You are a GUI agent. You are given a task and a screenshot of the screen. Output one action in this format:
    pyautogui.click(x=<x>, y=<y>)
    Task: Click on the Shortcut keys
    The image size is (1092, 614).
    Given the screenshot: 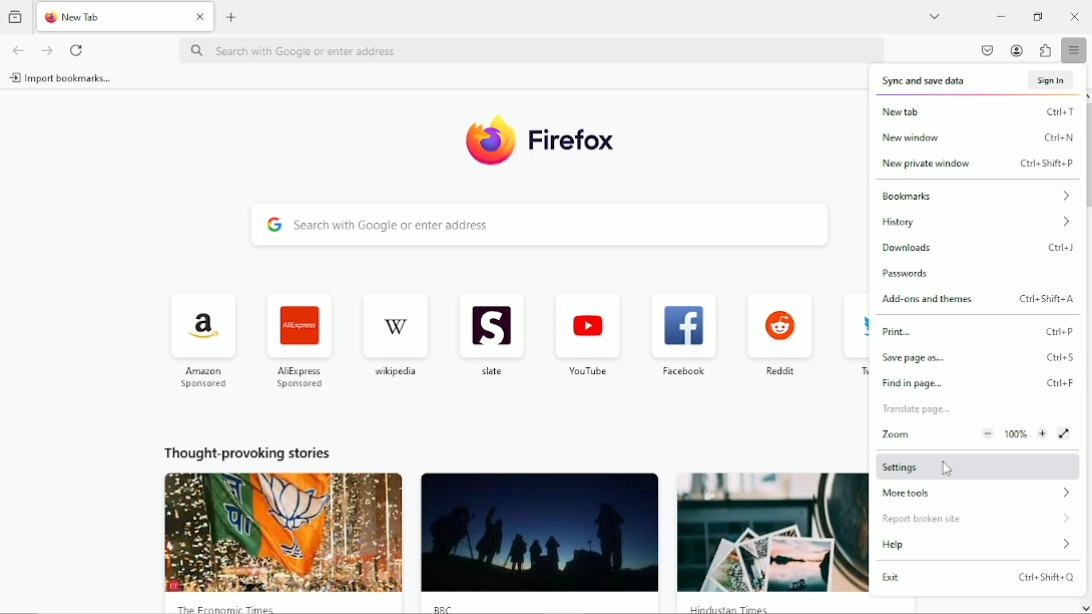 What is the action you would take?
    pyautogui.click(x=1064, y=246)
    